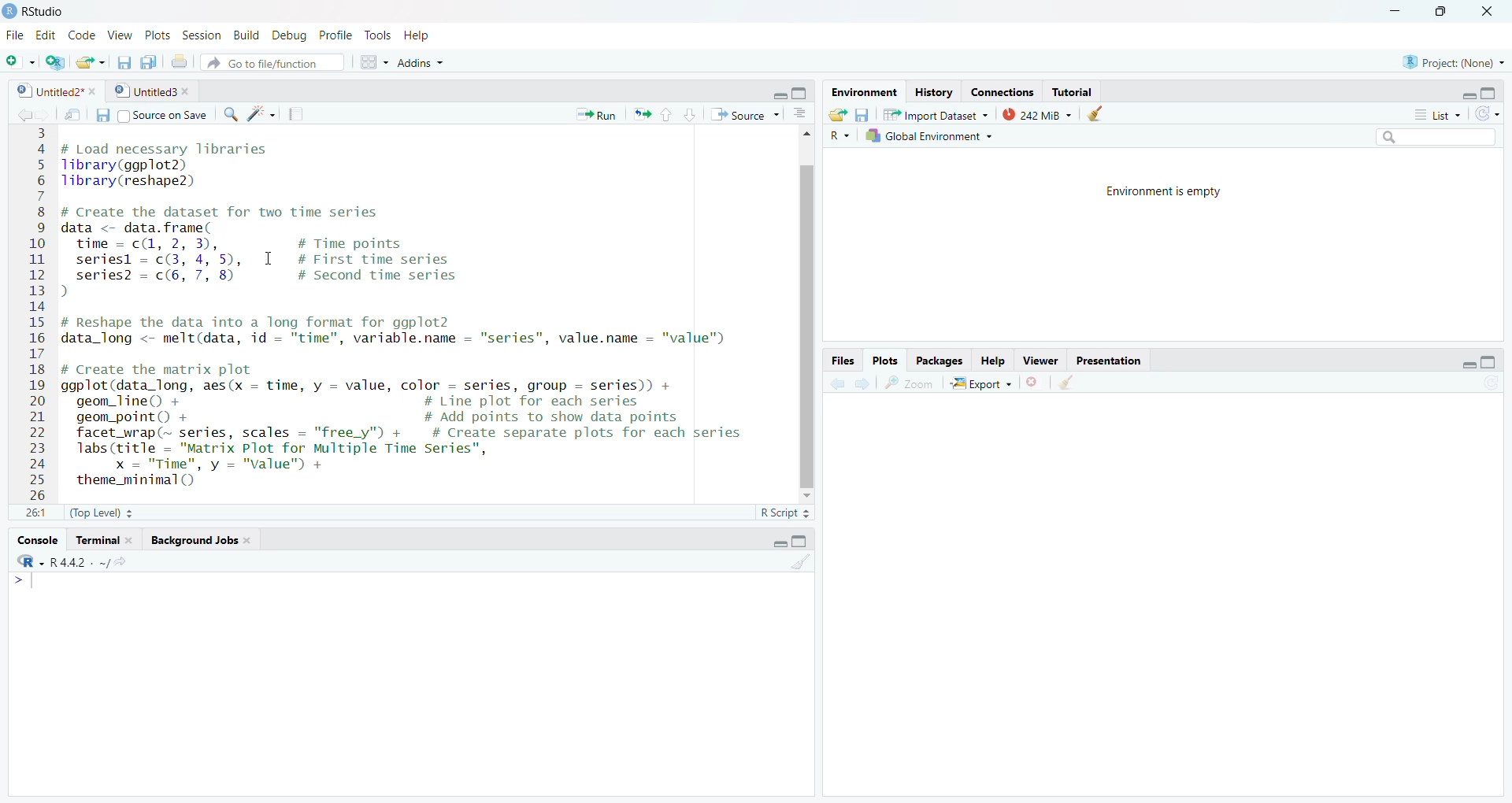 This screenshot has width=1512, height=803. What do you see at coordinates (838, 135) in the screenshot?
I see `R` at bounding box center [838, 135].